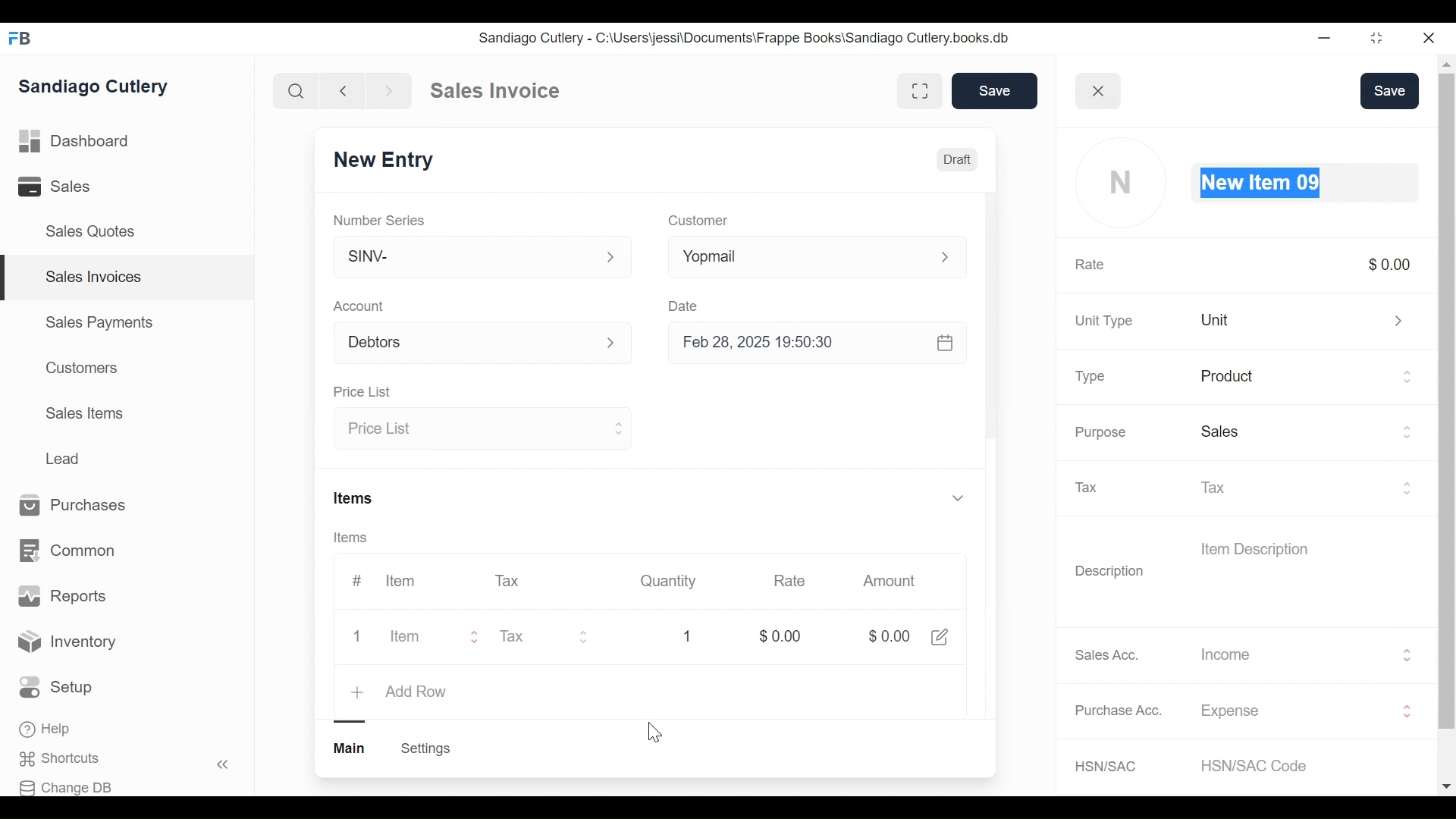 The image size is (1456, 819). Describe the element at coordinates (1307, 654) in the screenshot. I see `Income` at that location.